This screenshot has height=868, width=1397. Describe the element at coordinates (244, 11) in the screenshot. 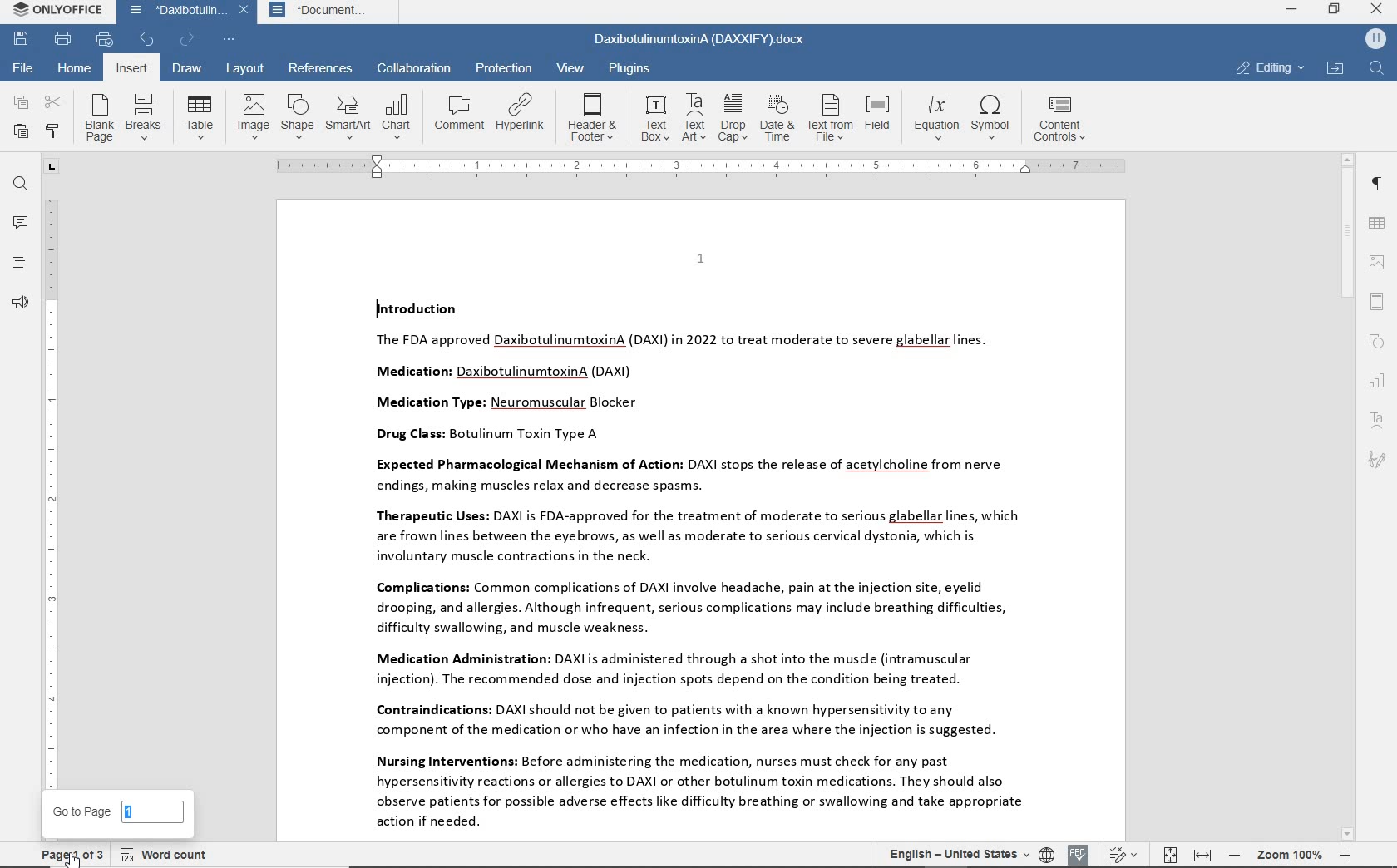

I see `close` at that location.